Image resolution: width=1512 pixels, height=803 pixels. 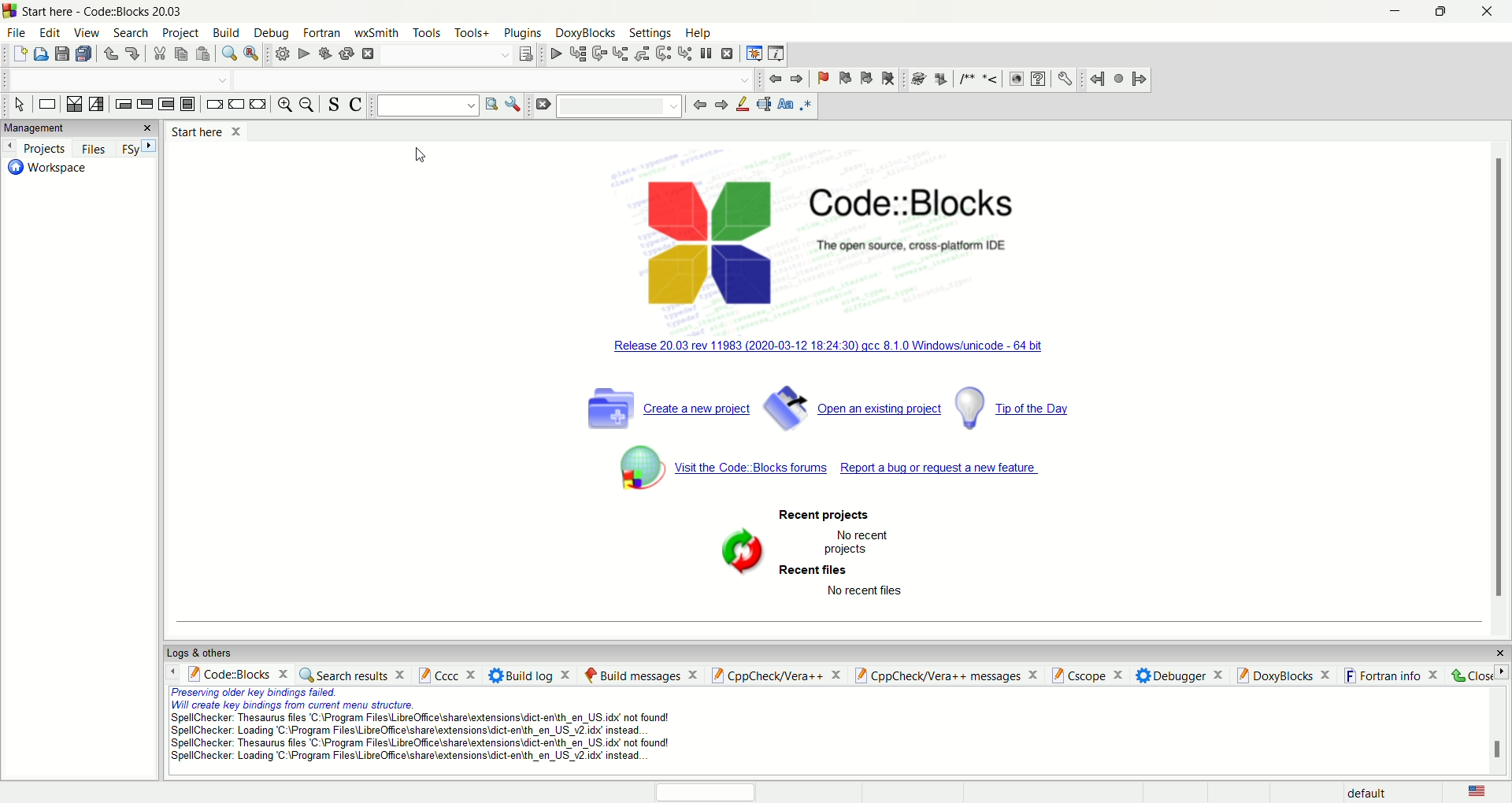 I want to click on doxyblocks, so click(x=1284, y=675).